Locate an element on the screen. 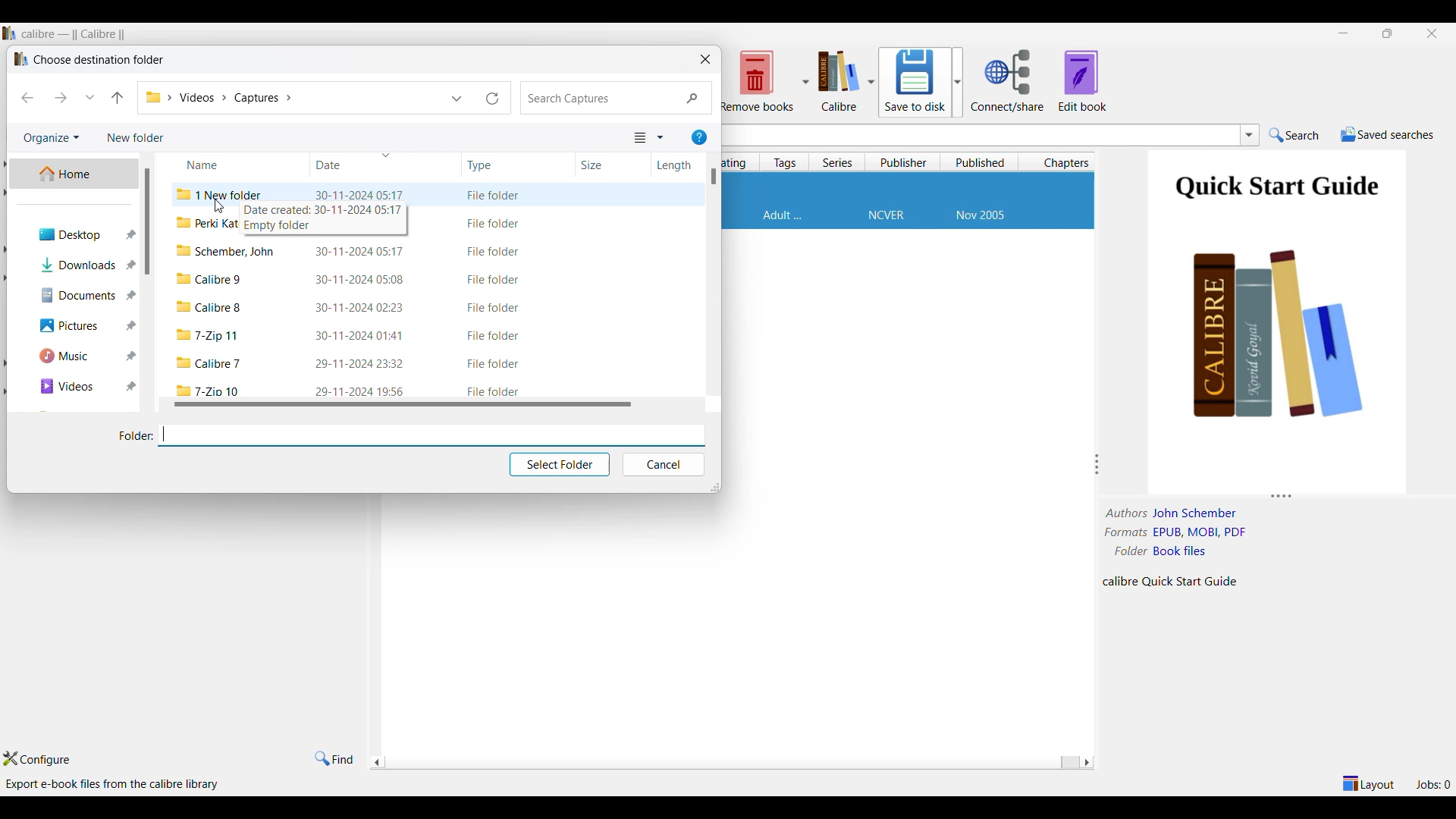 This screenshot has height=819, width=1456. date created is located at coordinates (325, 211).